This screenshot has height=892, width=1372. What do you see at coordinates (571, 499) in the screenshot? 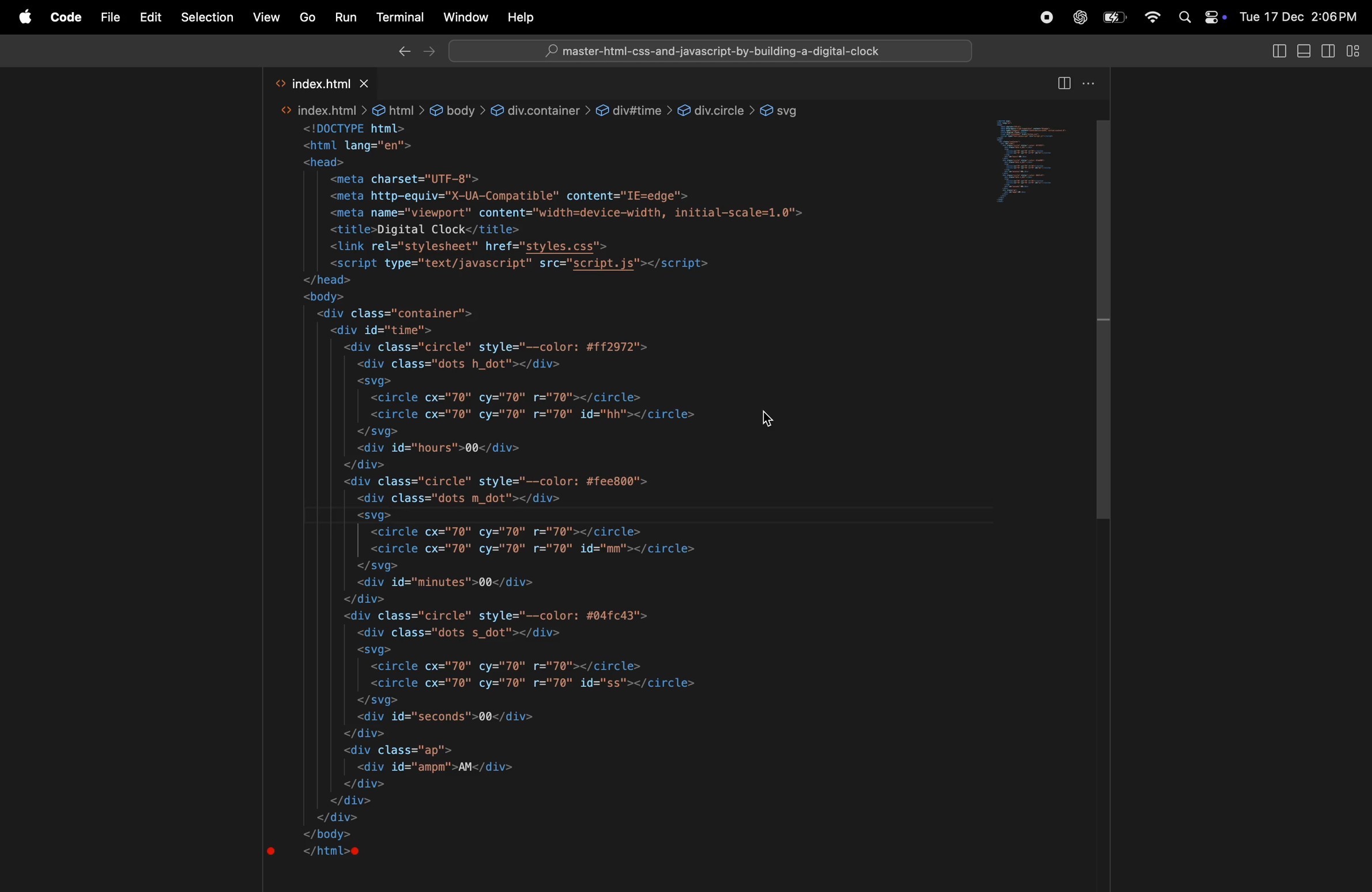
I see `<!DOCTYPE html><html lang="en"><head><meta charset="UTF-8"><meta http-equiv="X-UA-Compatible" content="IE=edge'><meta name="viewport" content="width=device-width, initial-scale=1.0"><title>Digital Clock</title><link rel="stylesheet" href="styles.css"><script type="text/javascript" src="script.js"></script></head><body><div class="container"><div id="time"><div class="circle" style="--color: #ff2972"><div class="dots h_dot"></div><svg><circle cx="70" cy="70" r="70"></circle><circle cx="70" cy="70" r="70" id="hh"></circle> NS</svg><div id="hours">00</div></div><div class="circle" style="--color: #fee800"><div class="dots m_dot"></div><svg><circle cx="70" cy="70" r="70"></circle><circle cx="70" cy="70" r="70" id="mm"></circle></svg><div id="minutes">00</div></div><div class="circle" style="--color: #04fc43"><div class="dots s_dot"></div><svg><circle cx="70" cy="70" r="70"></circle><circle cx="70" cy="70" r="70" id="ss"></circle></svg><div id="seconds">00</div></div><div class="ap"><div id="ampm">AM</div></div></div></div></body></html>` at bounding box center [571, 499].